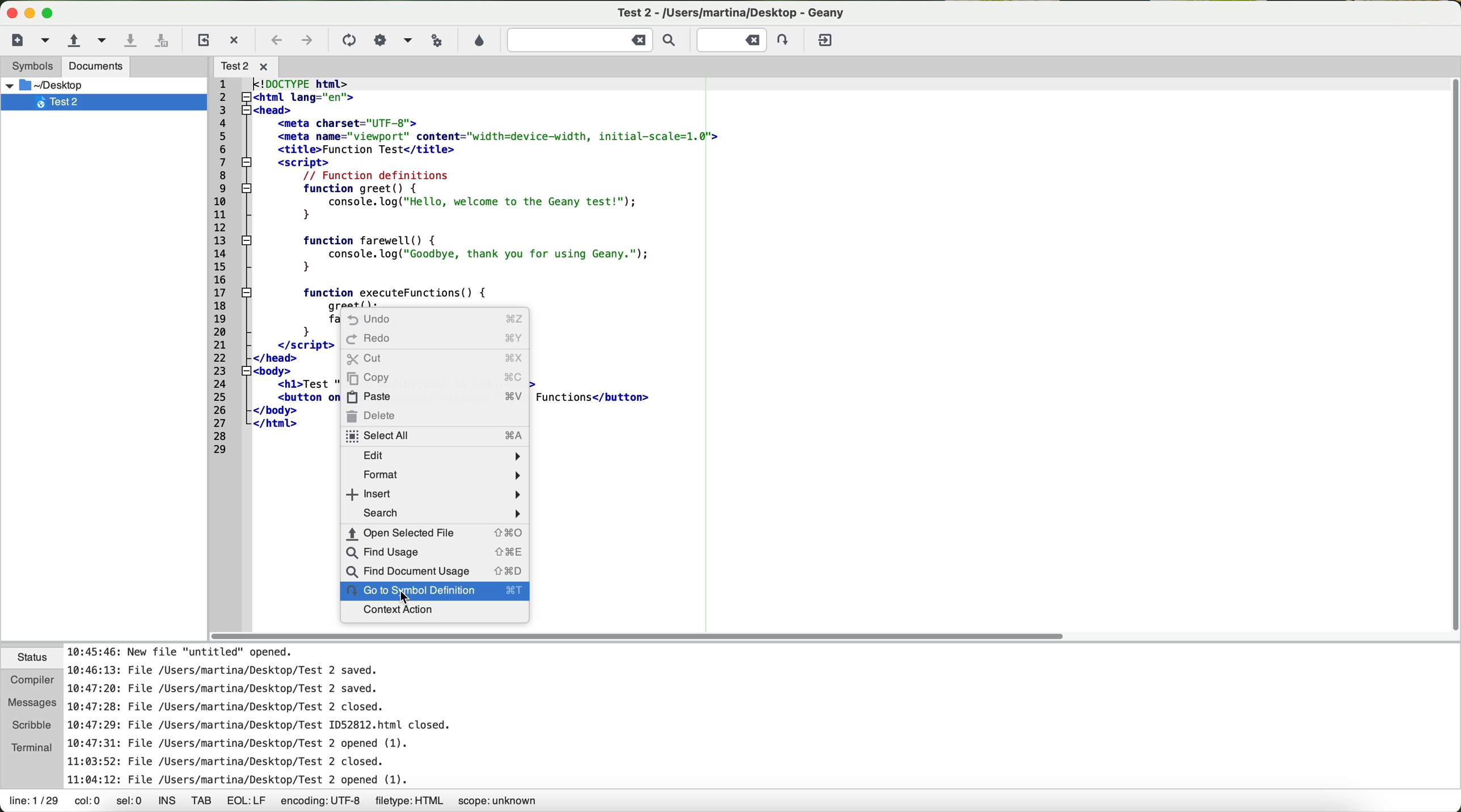  What do you see at coordinates (286, 716) in the screenshot?
I see `notes` at bounding box center [286, 716].